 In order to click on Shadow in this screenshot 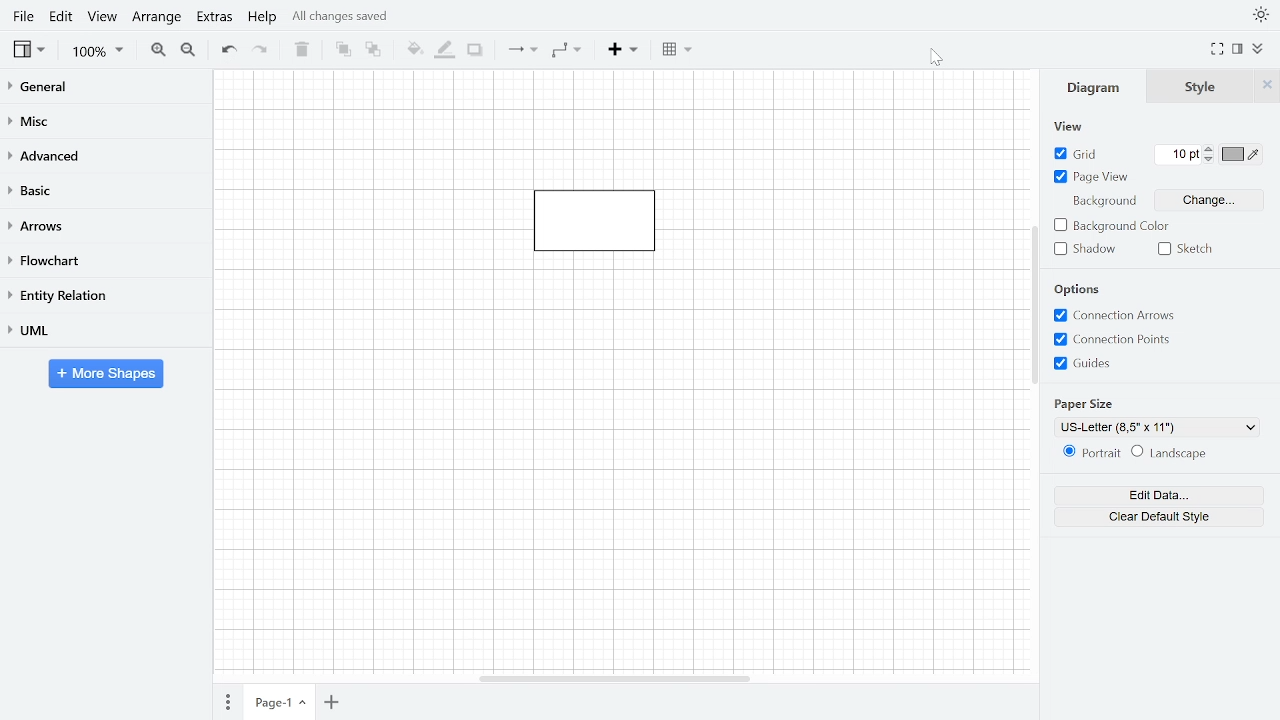, I will do `click(476, 51)`.